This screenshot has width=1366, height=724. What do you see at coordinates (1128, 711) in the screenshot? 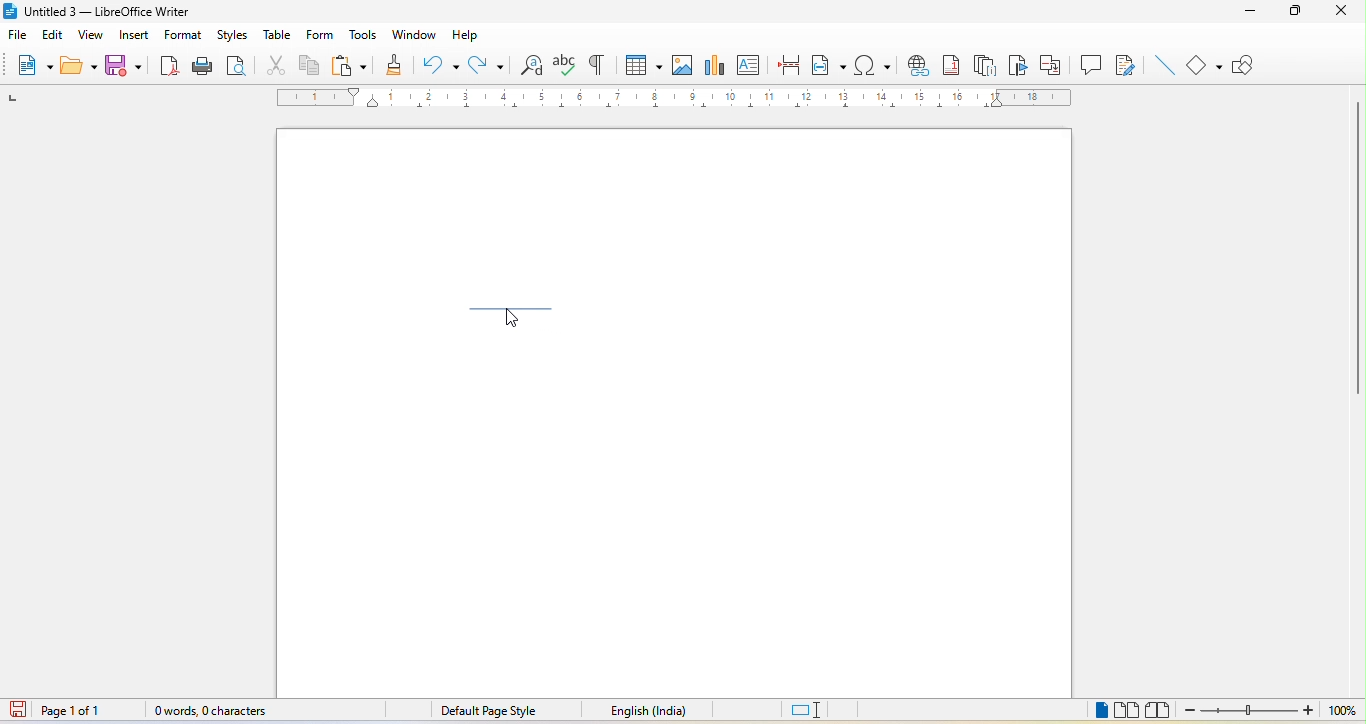
I see `multiple page view` at bounding box center [1128, 711].